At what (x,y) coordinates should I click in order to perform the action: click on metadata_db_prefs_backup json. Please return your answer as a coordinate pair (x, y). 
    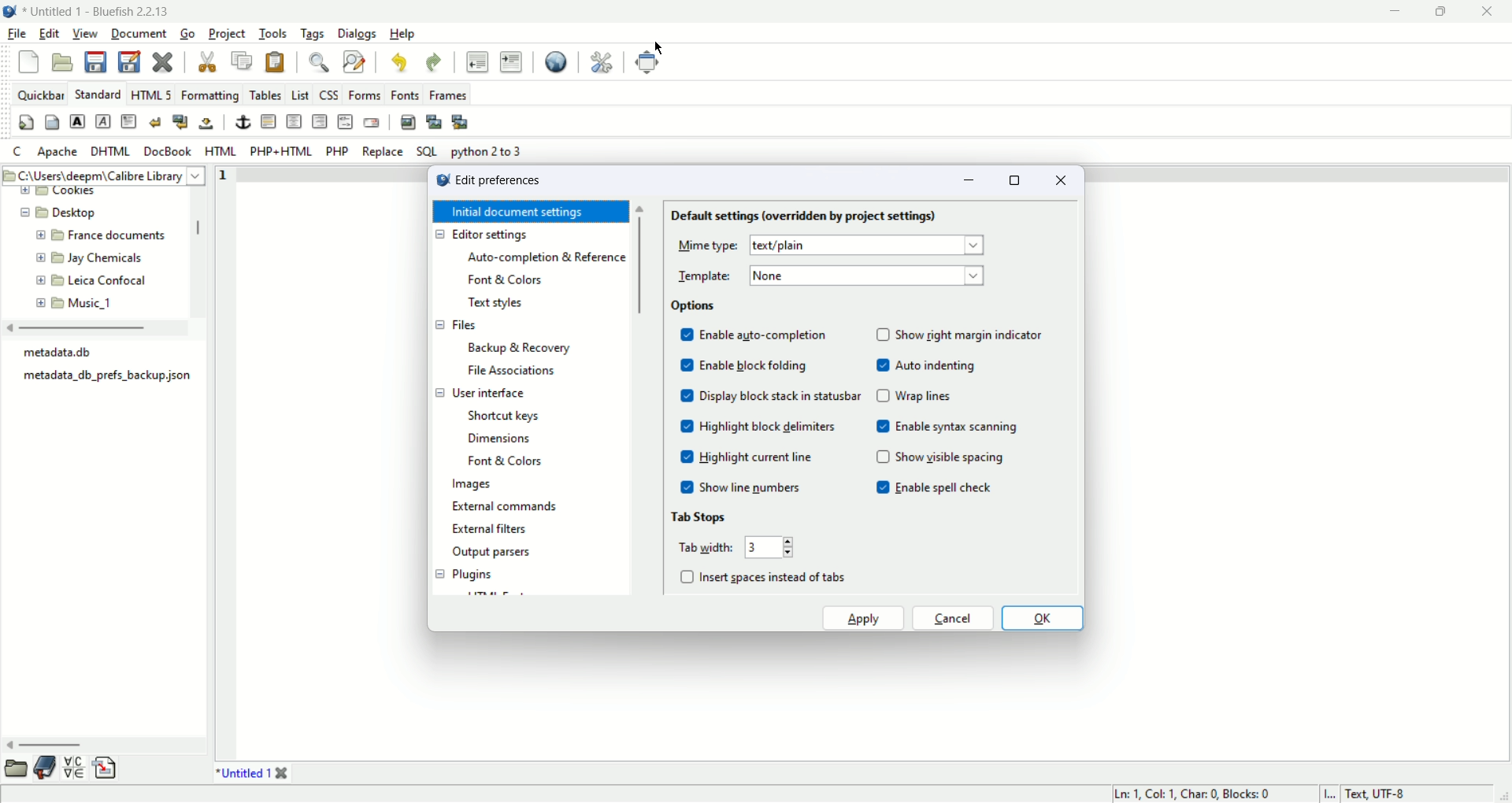
    Looking at the image, I should click on (113, 376).